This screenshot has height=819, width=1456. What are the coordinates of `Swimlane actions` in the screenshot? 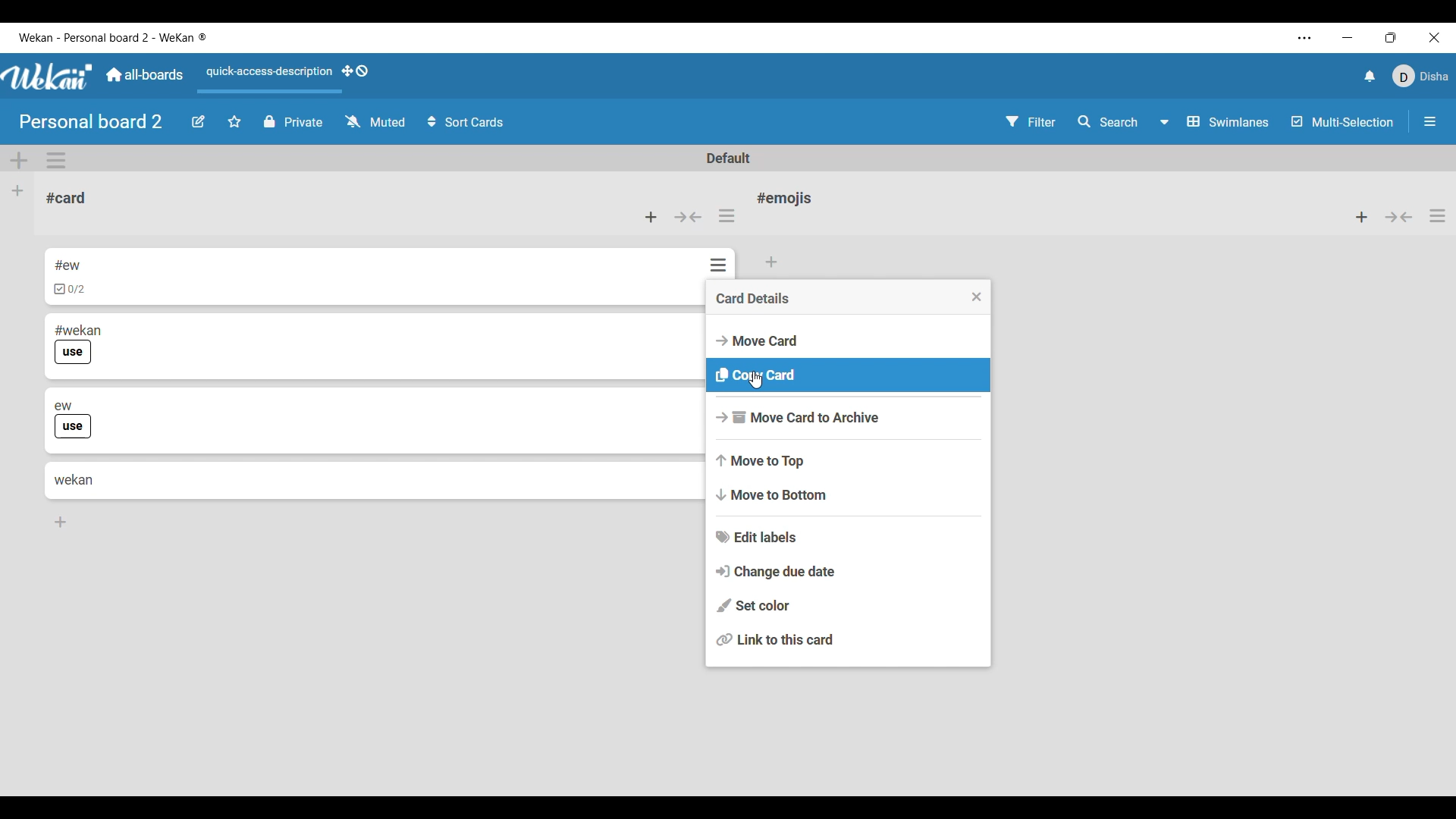 It's located at (56, 161).